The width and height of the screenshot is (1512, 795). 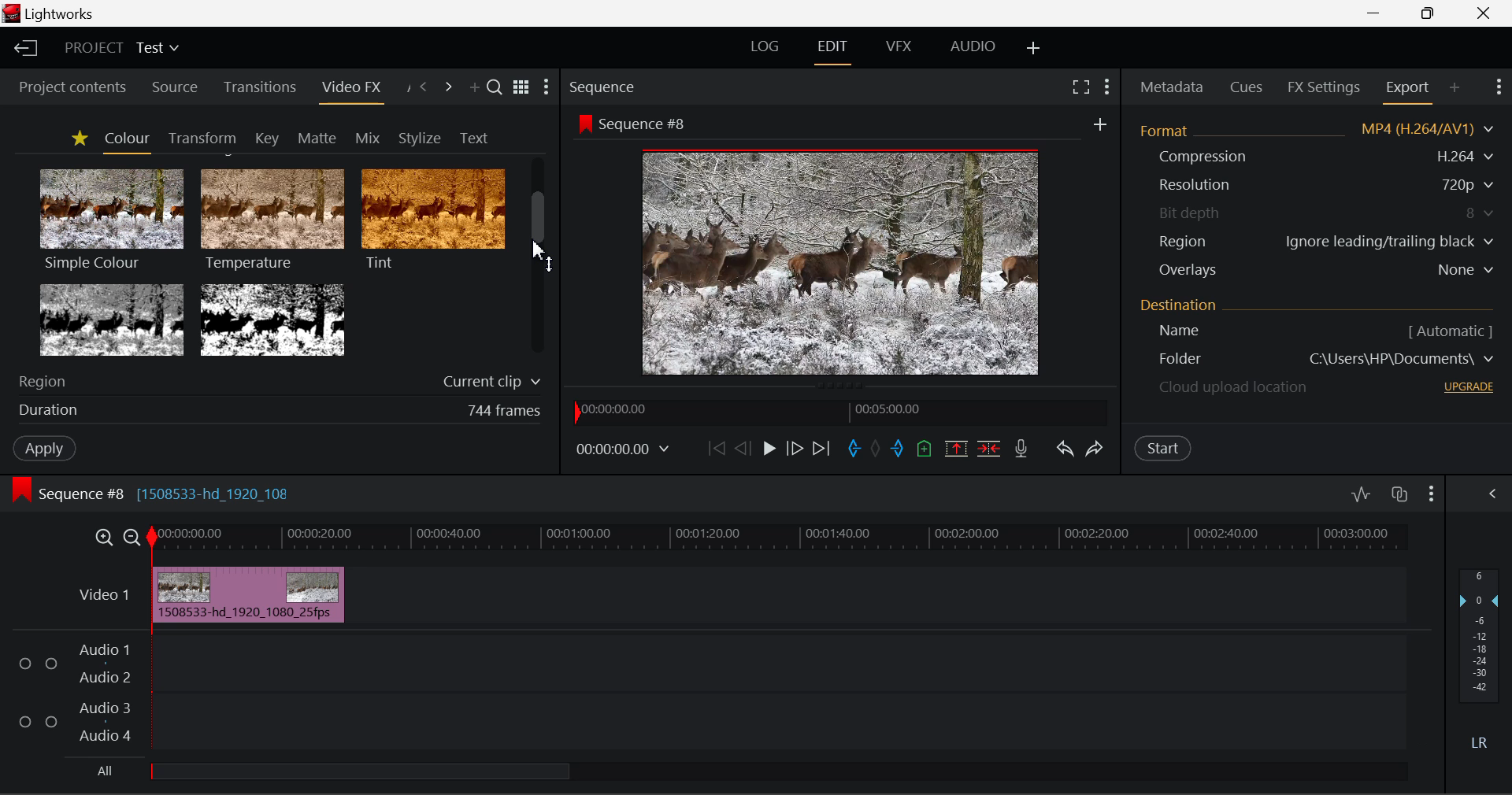 What do you see at coordinates (1451, 331) in the screenshot?
I see `[ Automatic ]` at bounding box center [1451, 331].